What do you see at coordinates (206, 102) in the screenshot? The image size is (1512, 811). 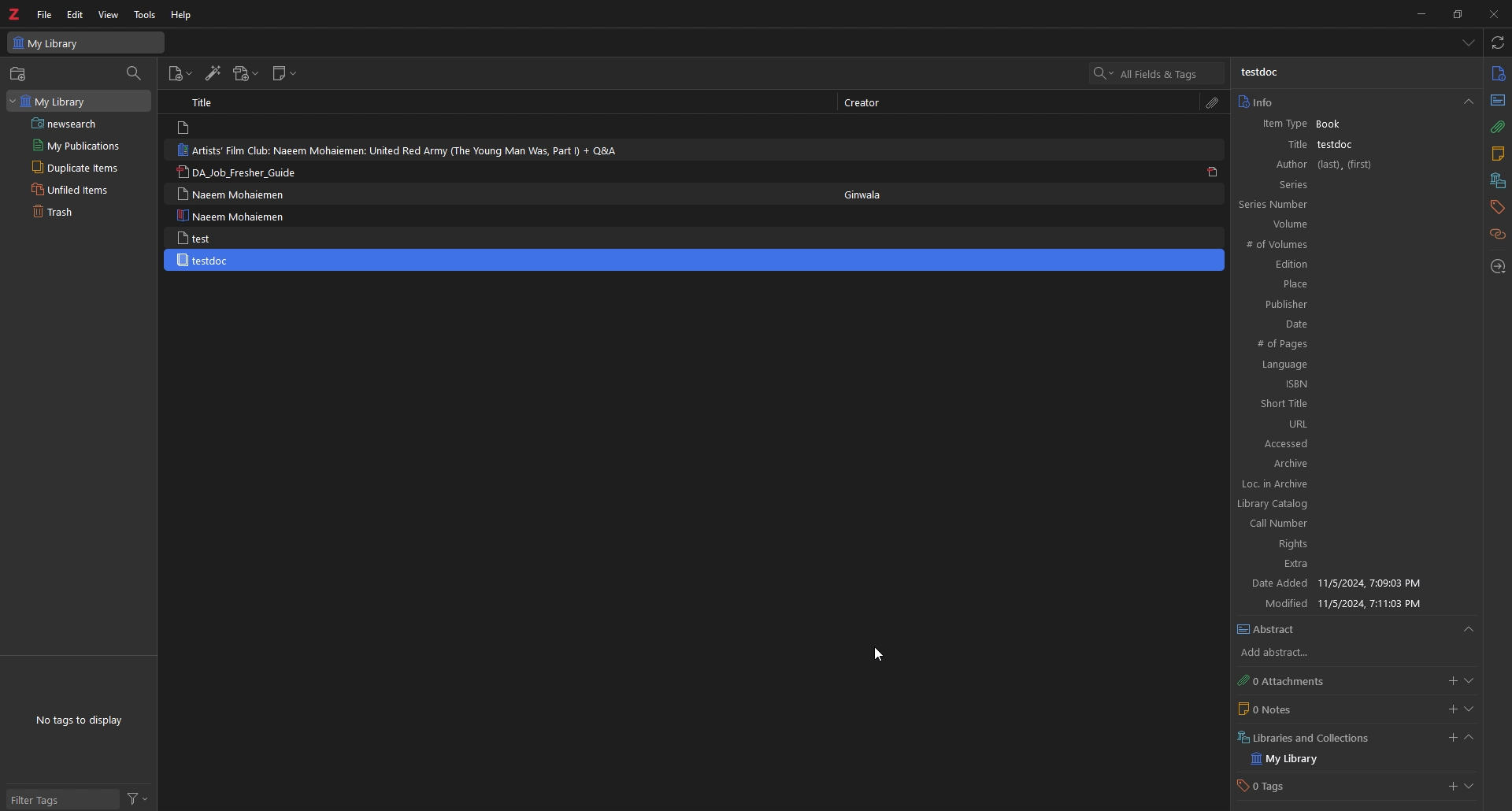 I see `Title` at bounding box center [206, 102].